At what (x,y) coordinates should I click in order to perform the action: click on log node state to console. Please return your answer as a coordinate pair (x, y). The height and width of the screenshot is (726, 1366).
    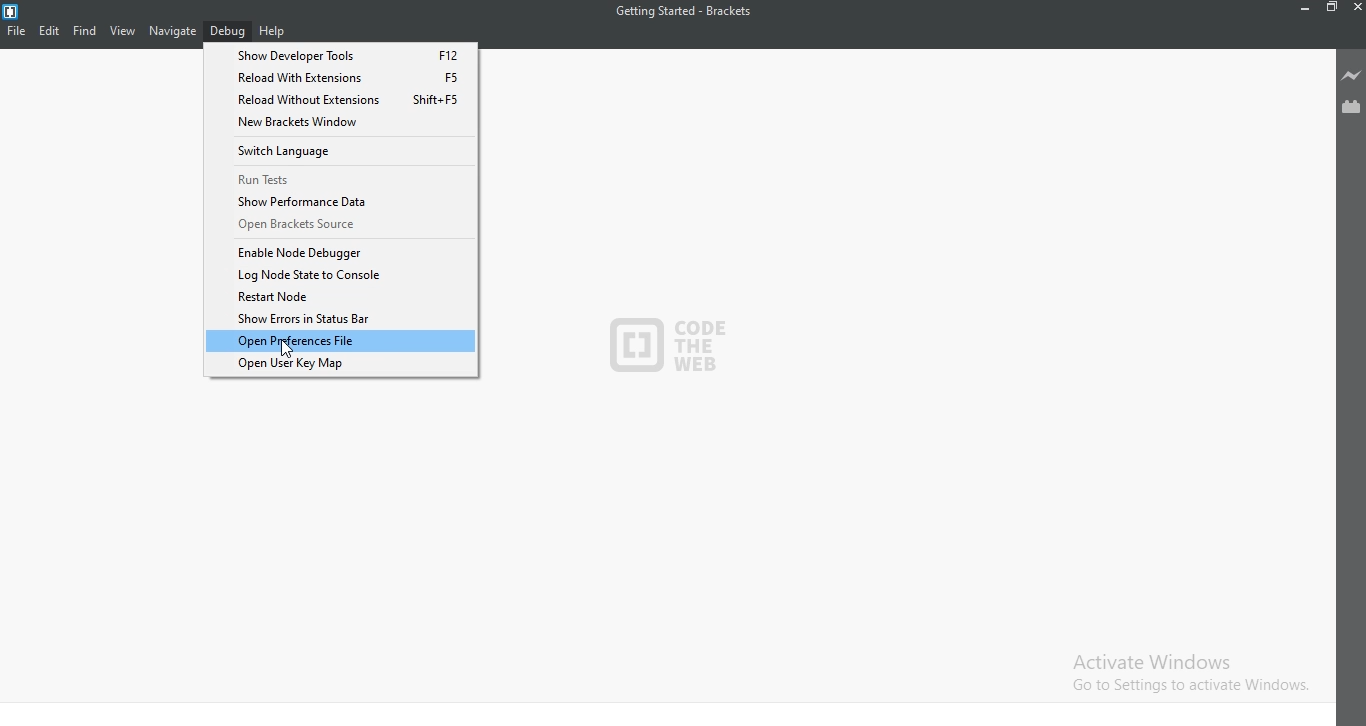
    Looking at the image, I should click on (338, 275).